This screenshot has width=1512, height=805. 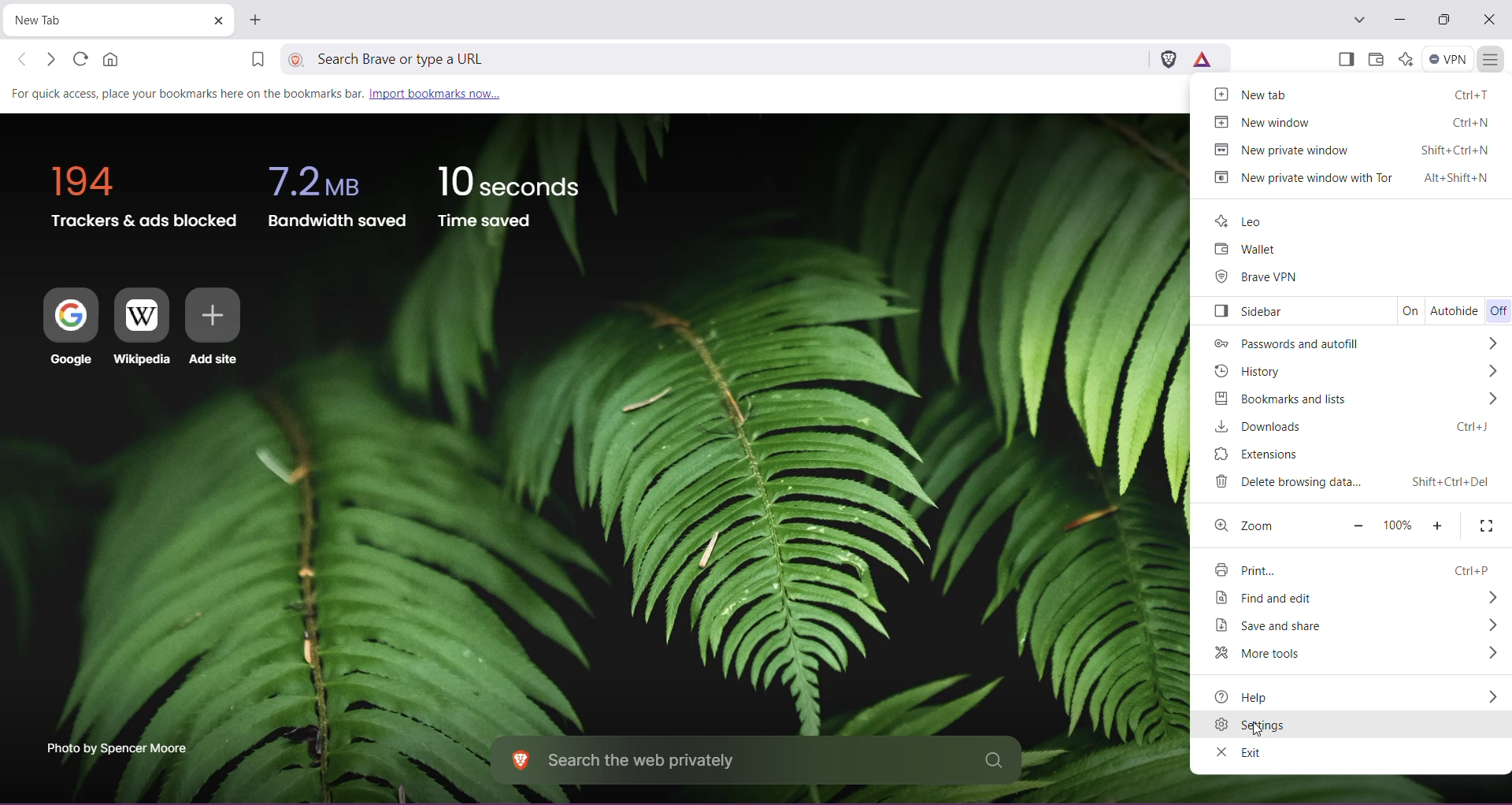 What do you see at coordinates (755, 762) in the screenshot?
I see `Search the web privately` at bounding box center [755, 762].